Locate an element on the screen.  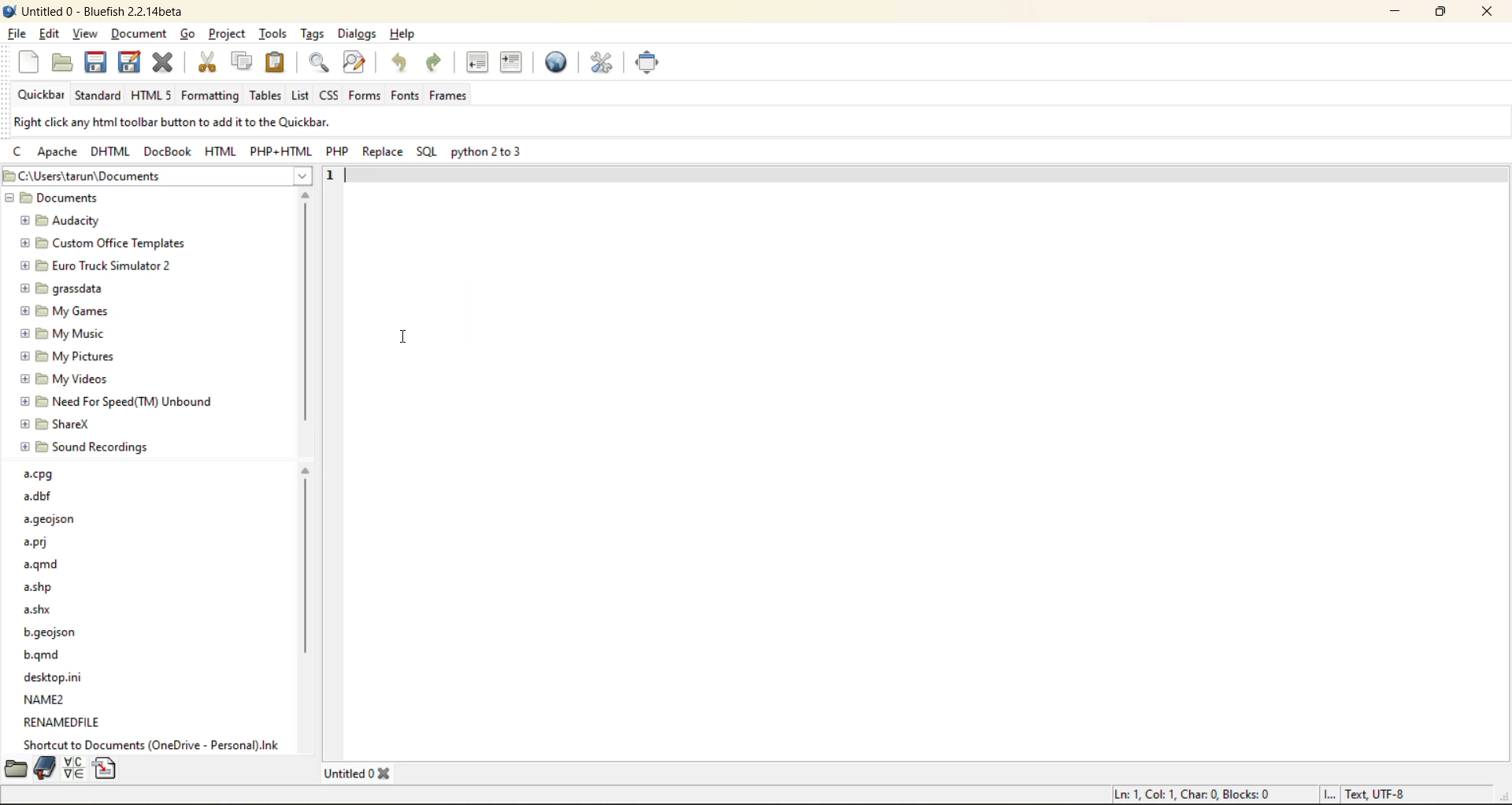
edit is located at coordinates (50, 32).